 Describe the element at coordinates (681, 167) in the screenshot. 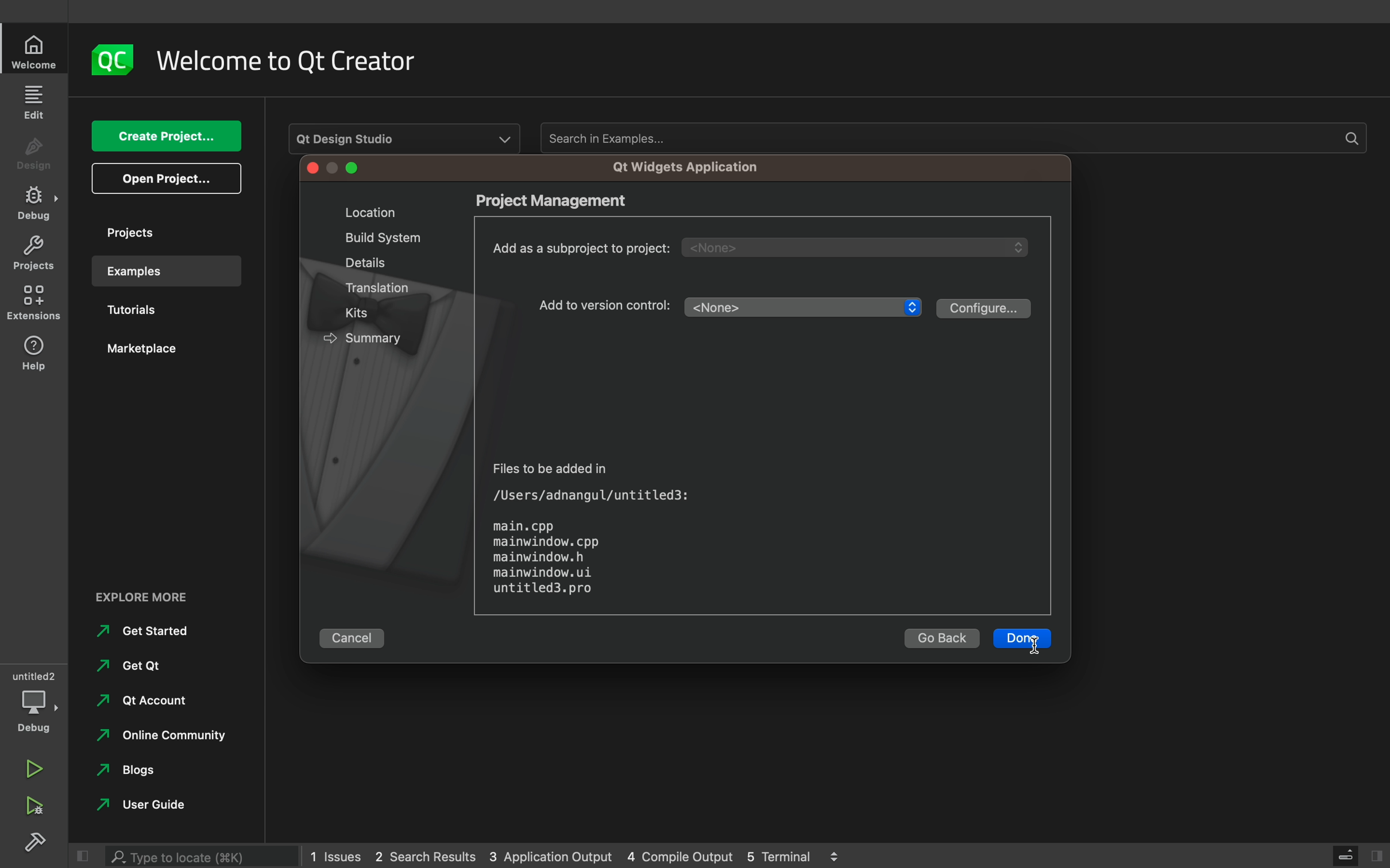

I see `widget application` at that location.